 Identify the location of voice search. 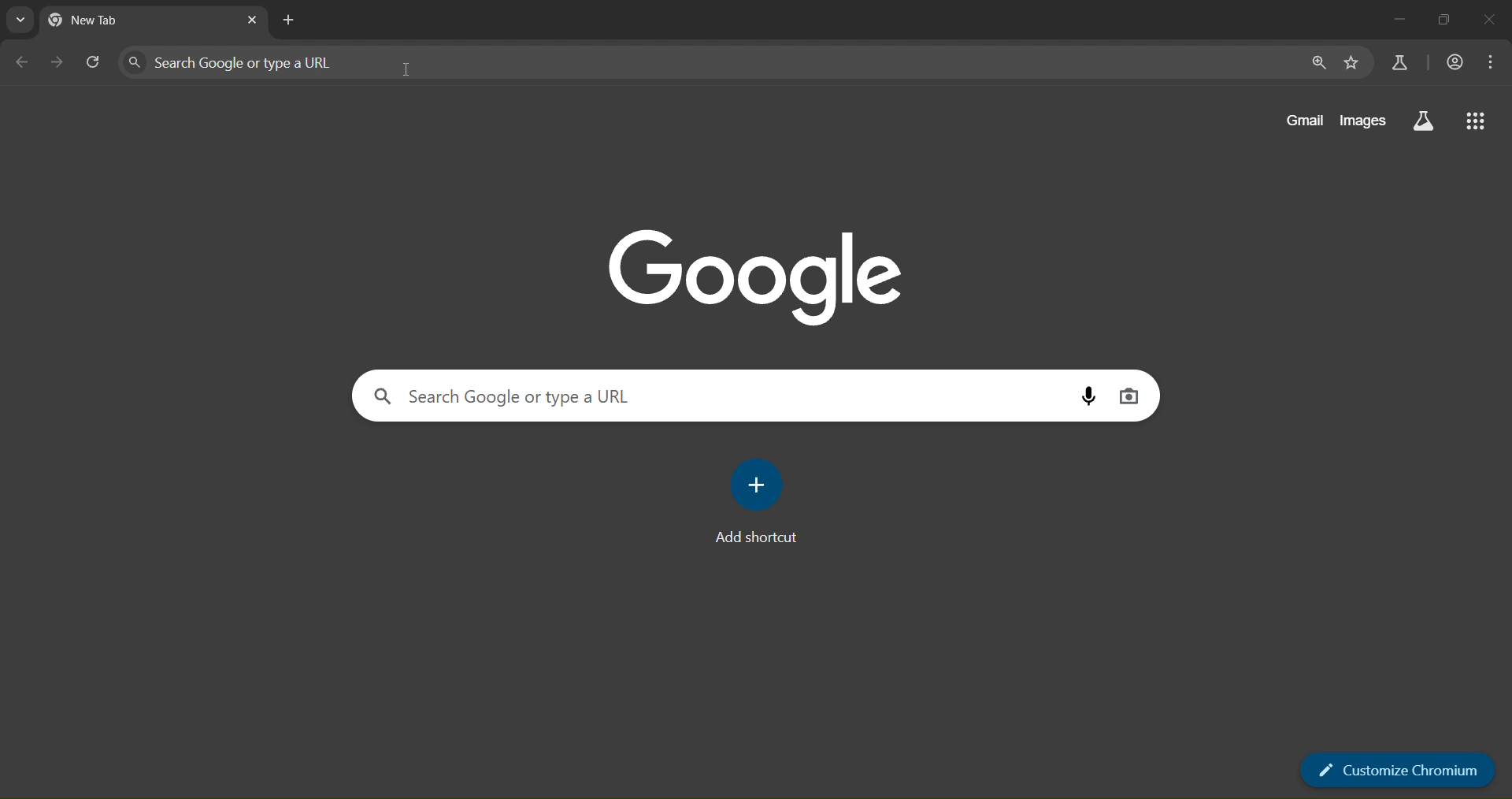
(1092, 395).